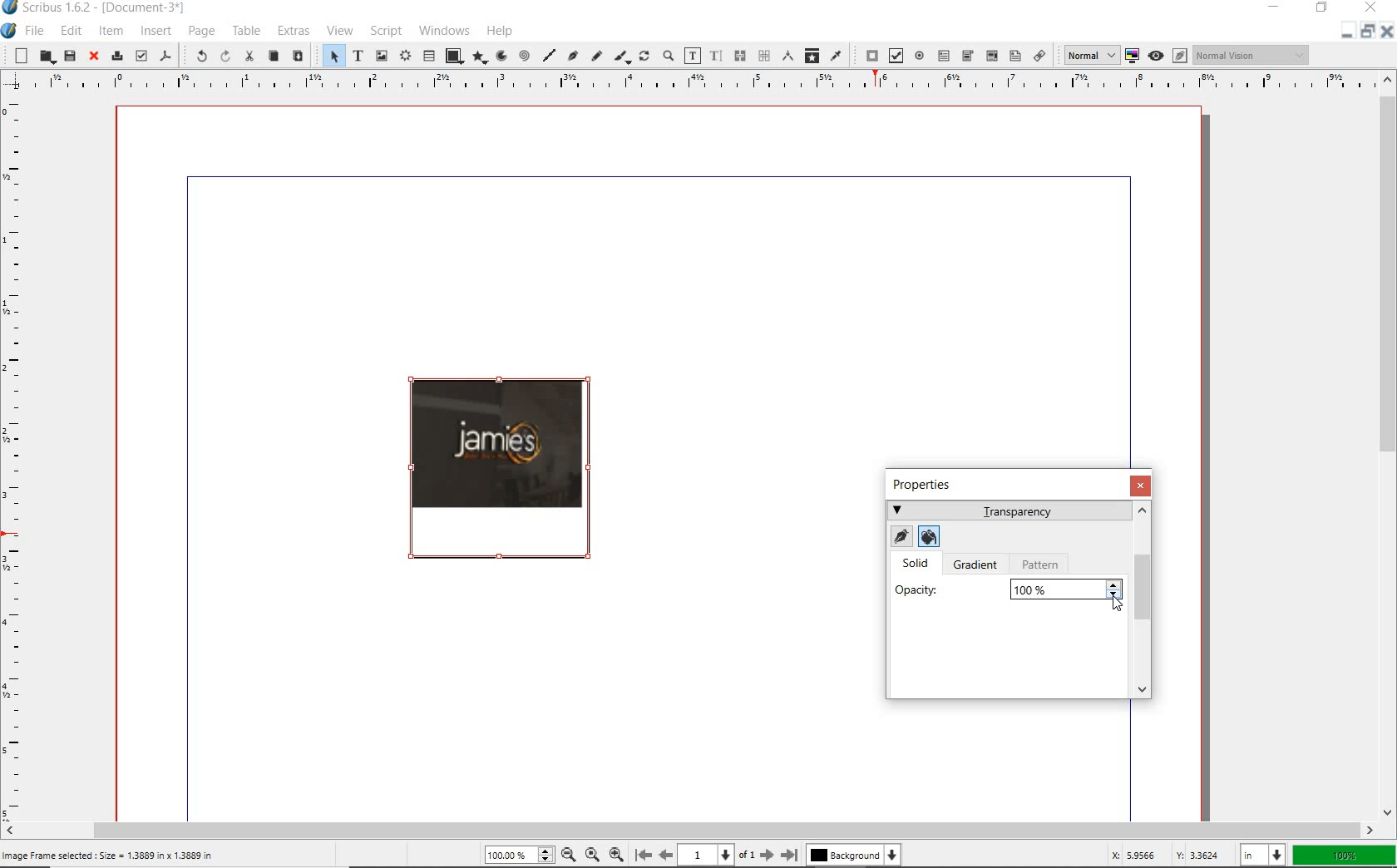 This screenshot has width=1397, height=868. What do you see at coordinates (594, 55) in the screenshot?
I see `freehand line` at bounding box center [594, 55].